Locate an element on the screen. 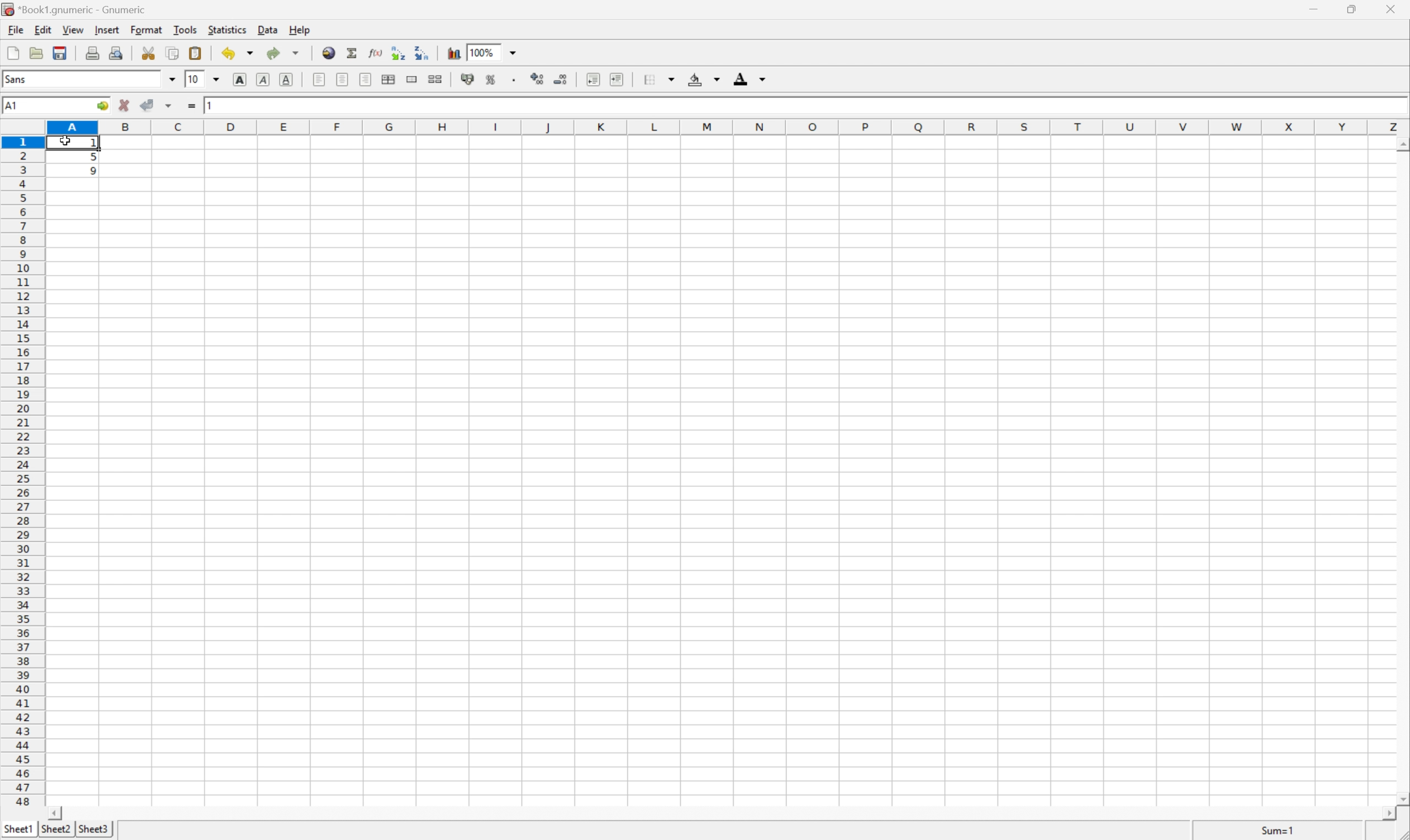 The image size is (1410, 840). restore down is located at coordinates (1353, 9).